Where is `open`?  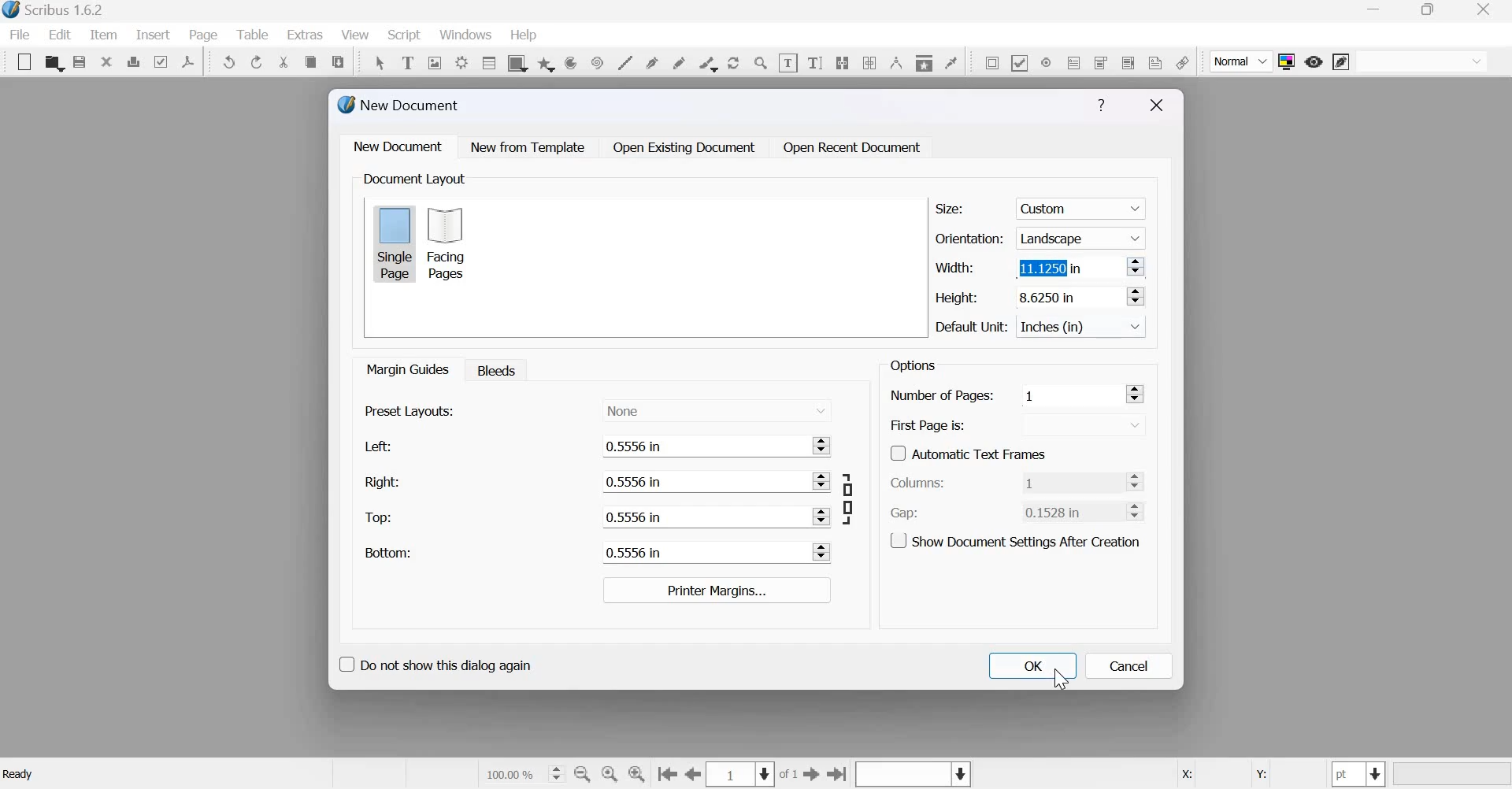 open is located at coordinates (54, 63).